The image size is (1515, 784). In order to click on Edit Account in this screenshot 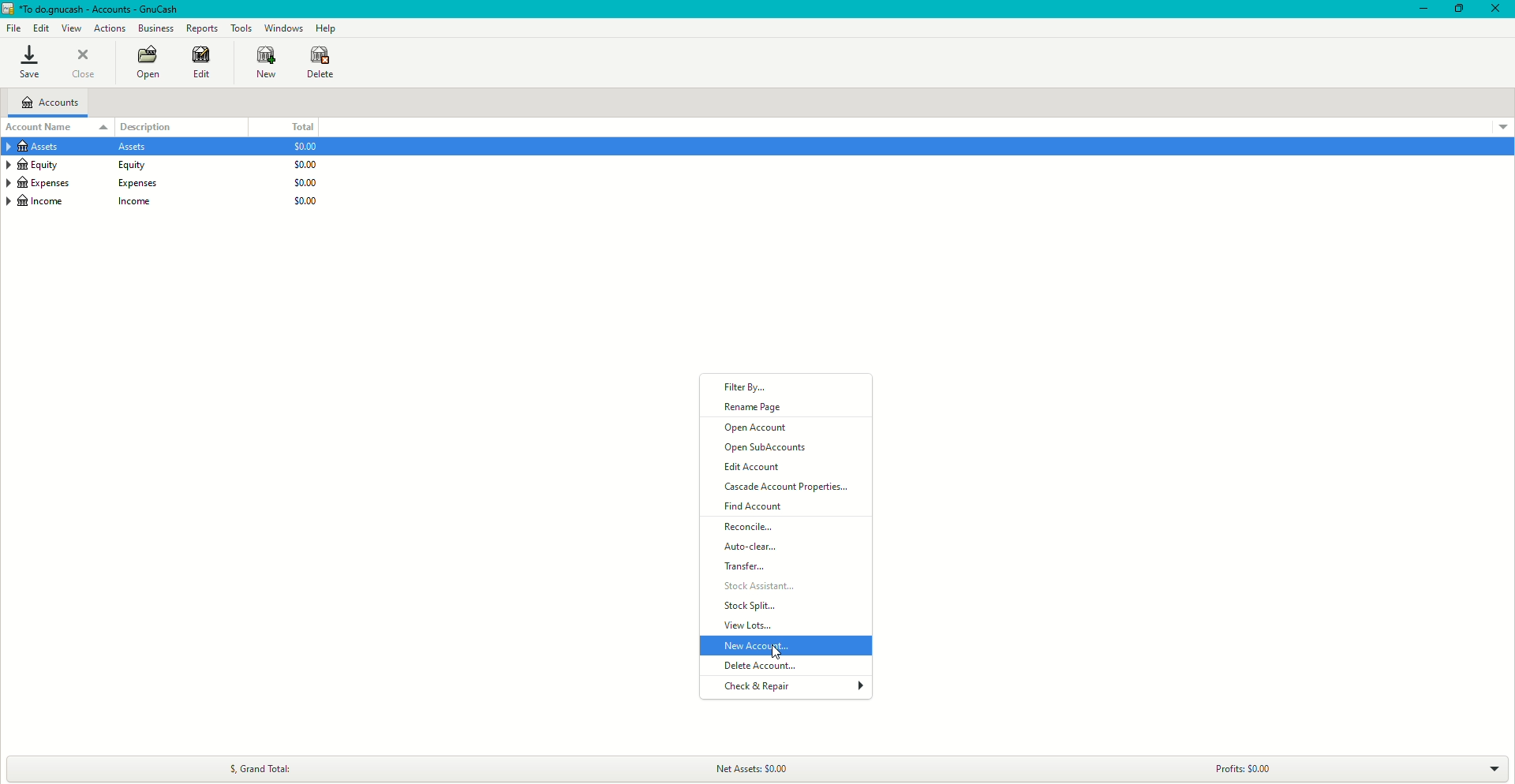, I will do `click(757, 468)`.